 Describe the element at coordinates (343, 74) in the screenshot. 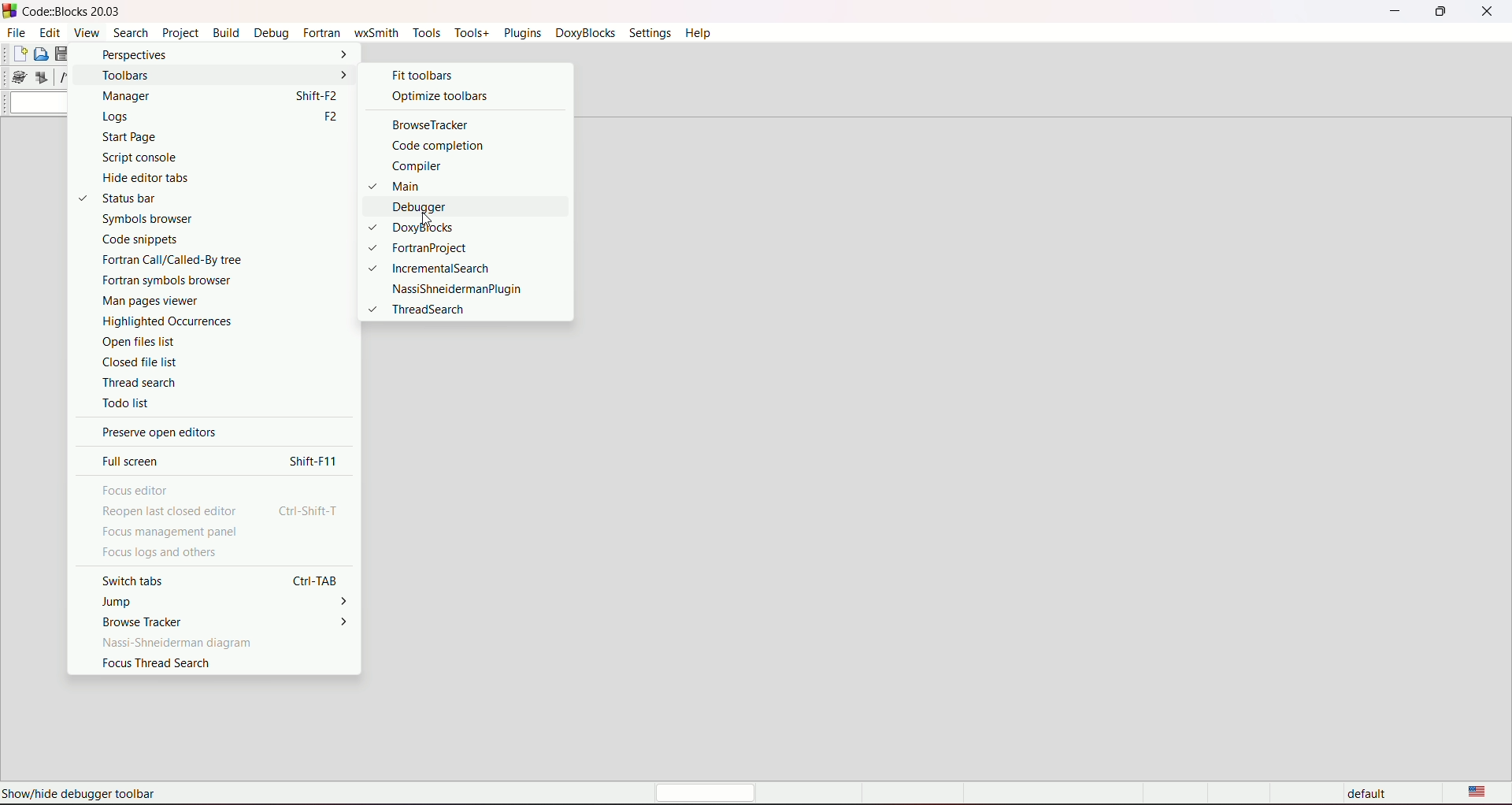

I see `arrow` at that location.